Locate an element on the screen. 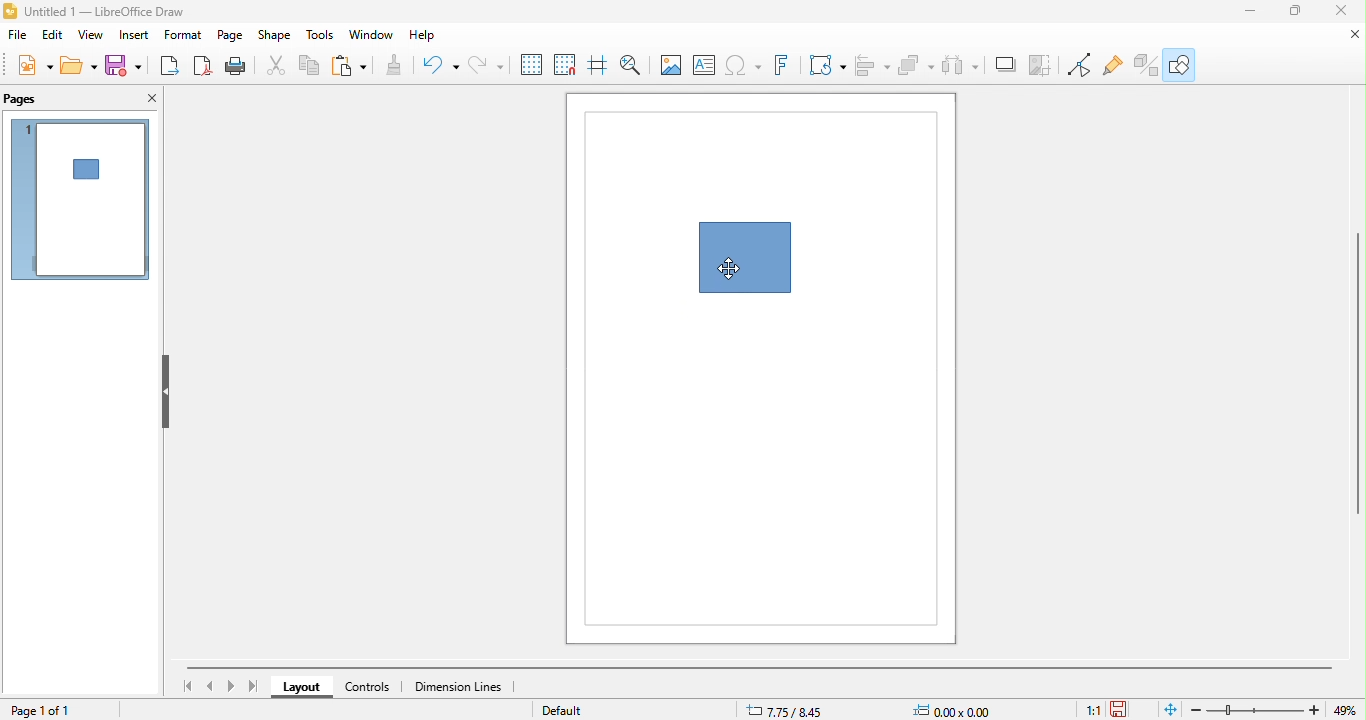  cut is located at coordinates (279, 67).